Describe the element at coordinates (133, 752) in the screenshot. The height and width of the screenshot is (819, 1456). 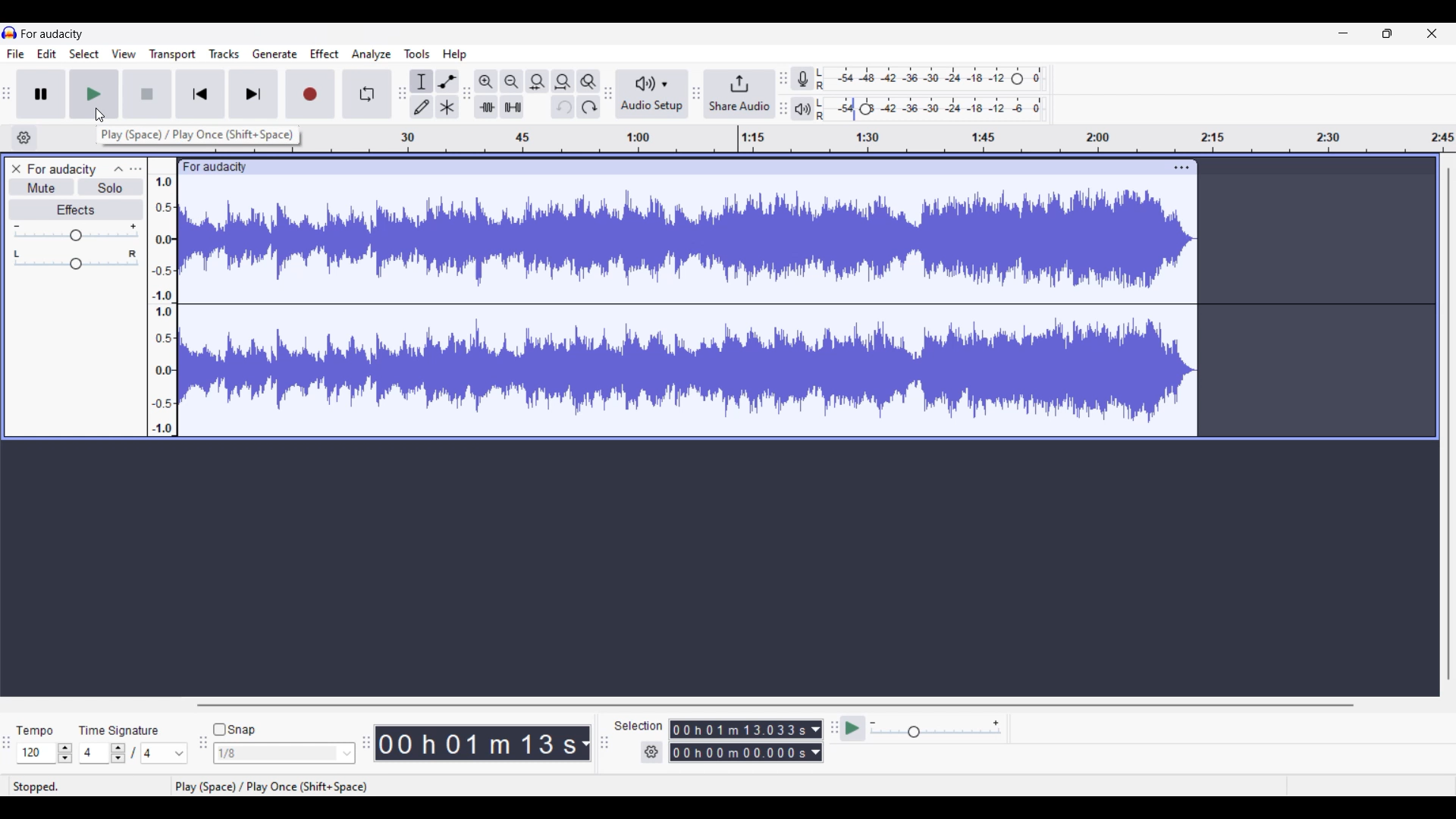
I see `Time signature settings` at that location.